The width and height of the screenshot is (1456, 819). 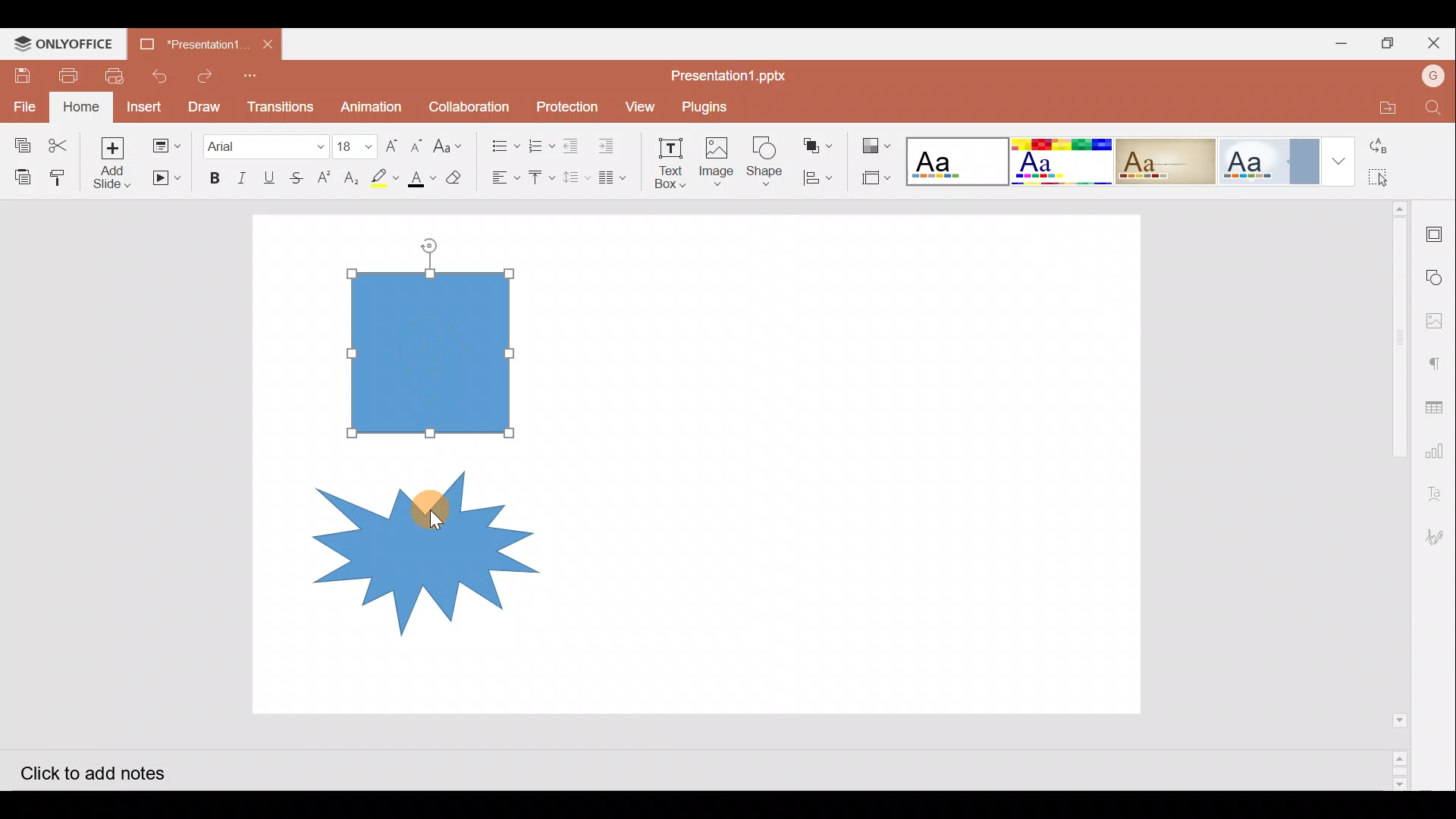 I want to click on Click to add notes, so click(x=105, y=772).